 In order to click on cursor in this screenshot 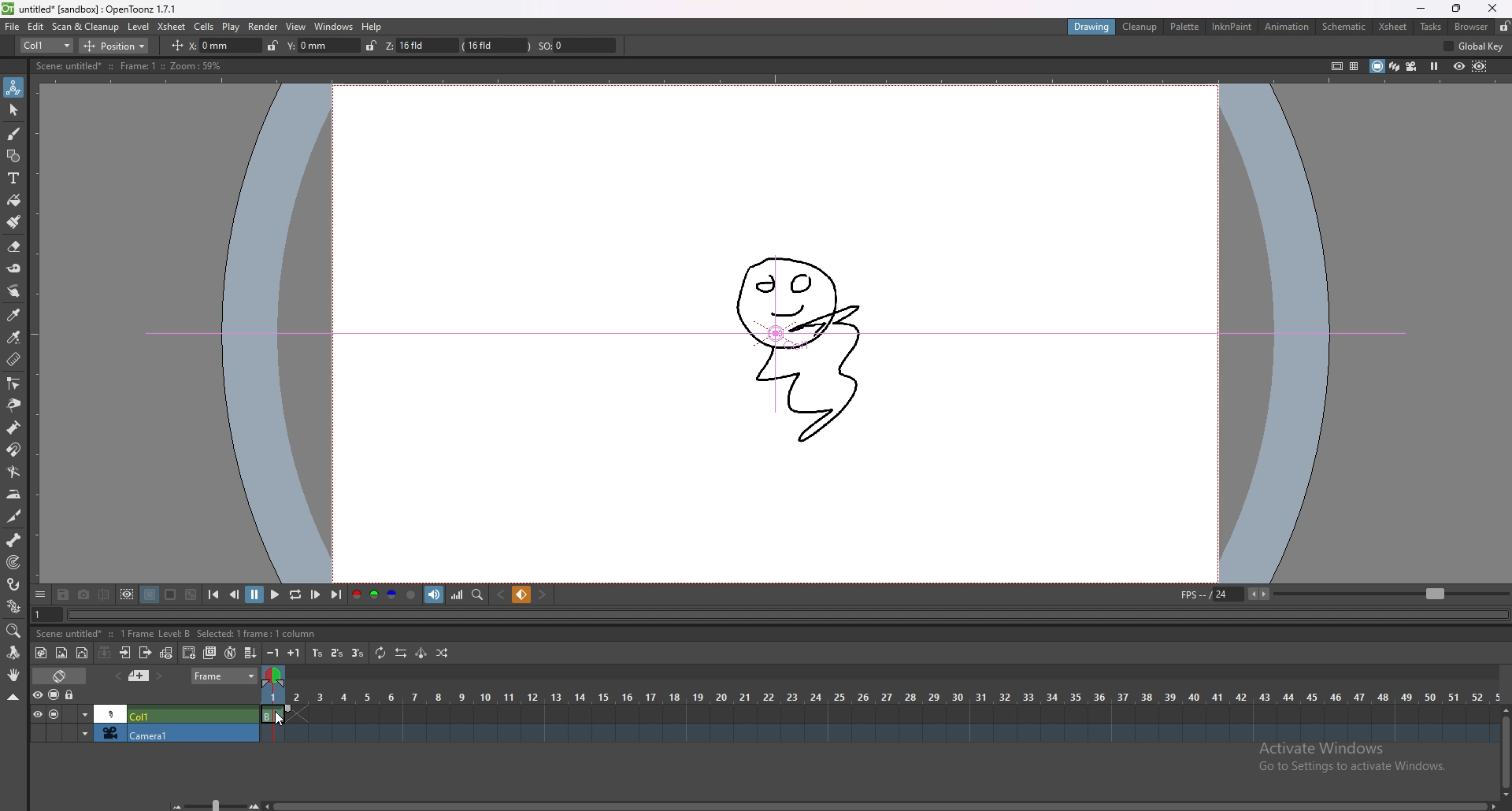, I will do `click(280, 717)`.